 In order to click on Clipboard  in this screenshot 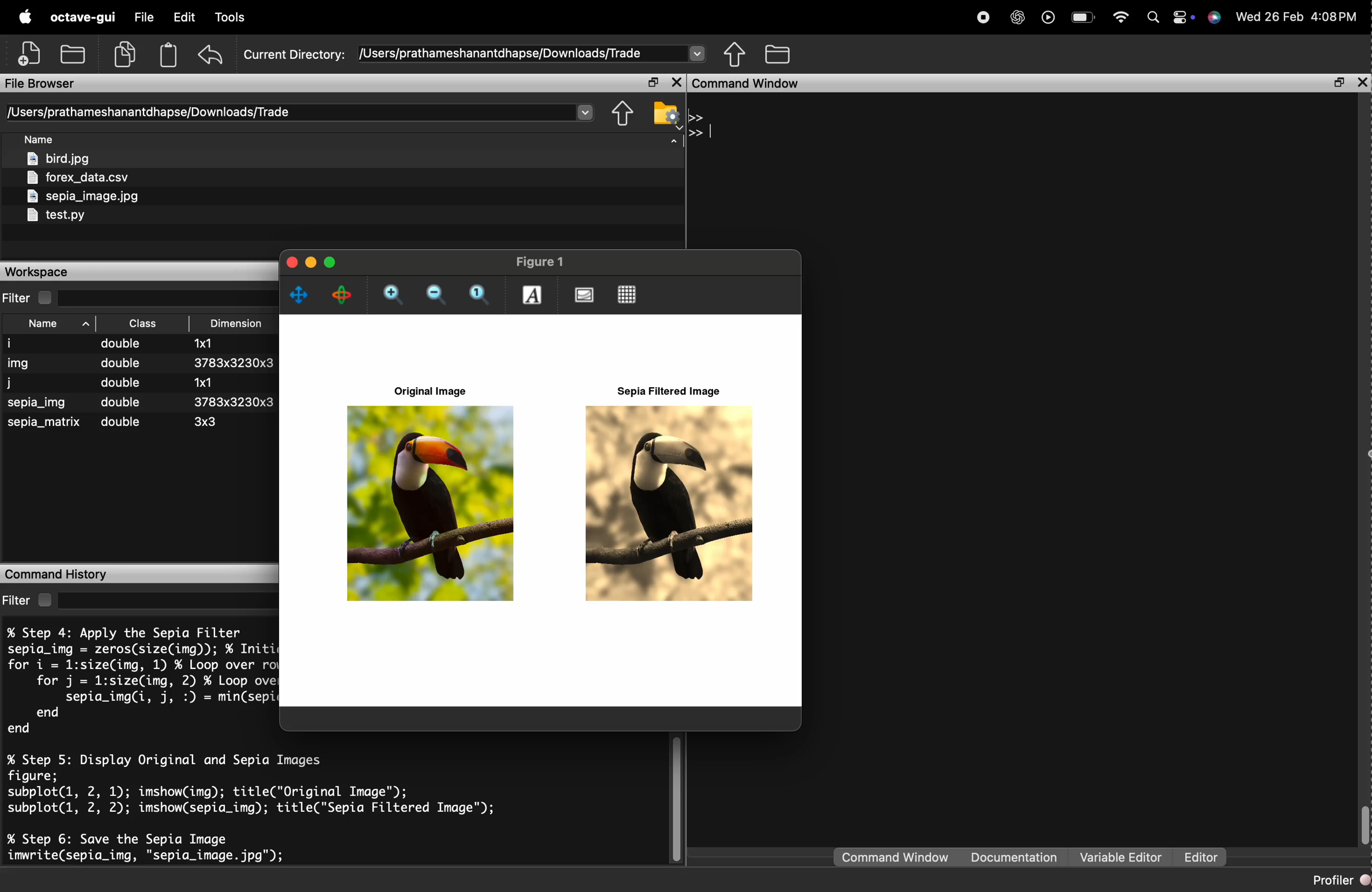, I will do `click(170, 55)`.